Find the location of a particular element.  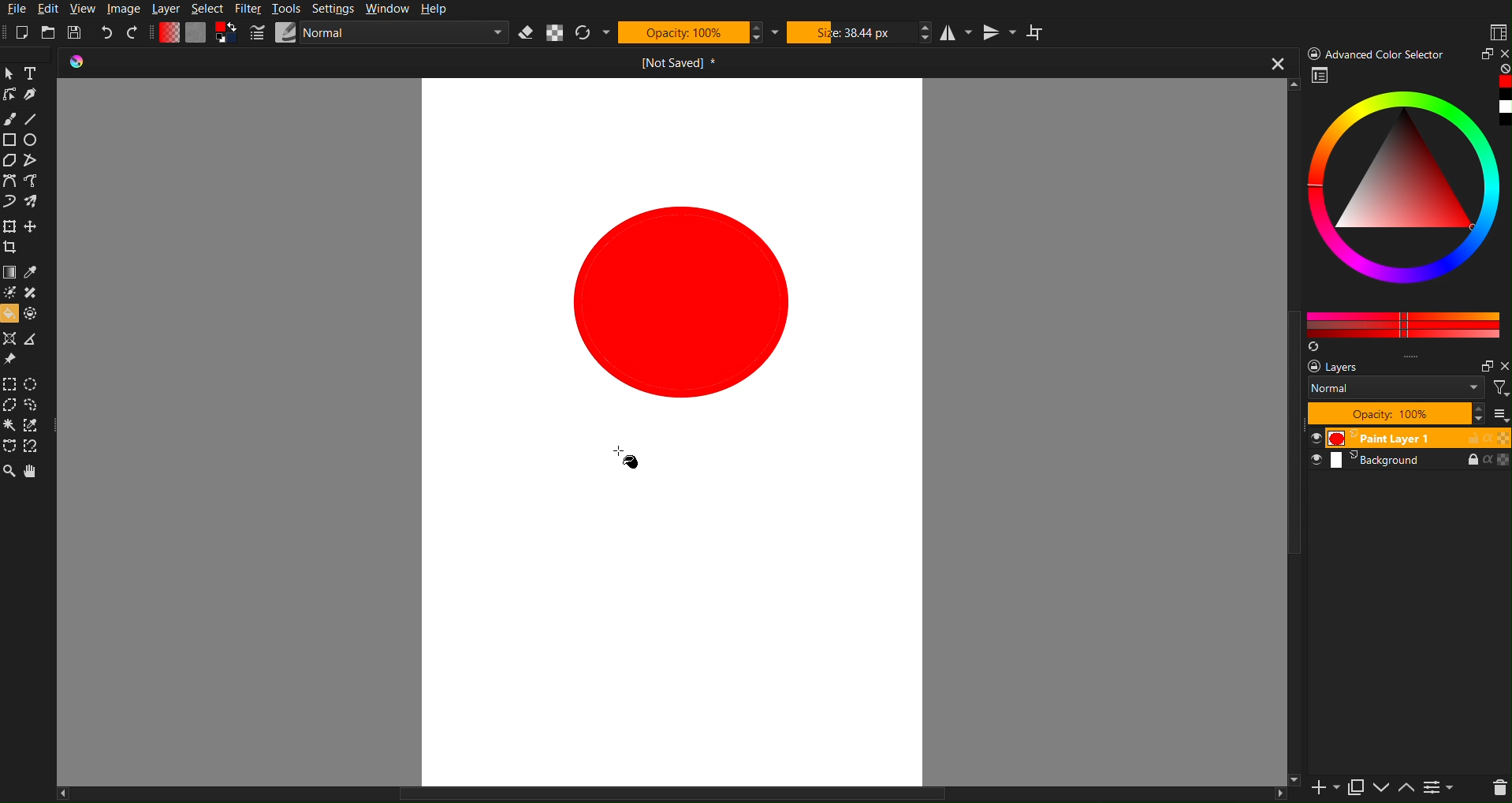

Paint Layer 1 is located at coordinates (1409, 439).